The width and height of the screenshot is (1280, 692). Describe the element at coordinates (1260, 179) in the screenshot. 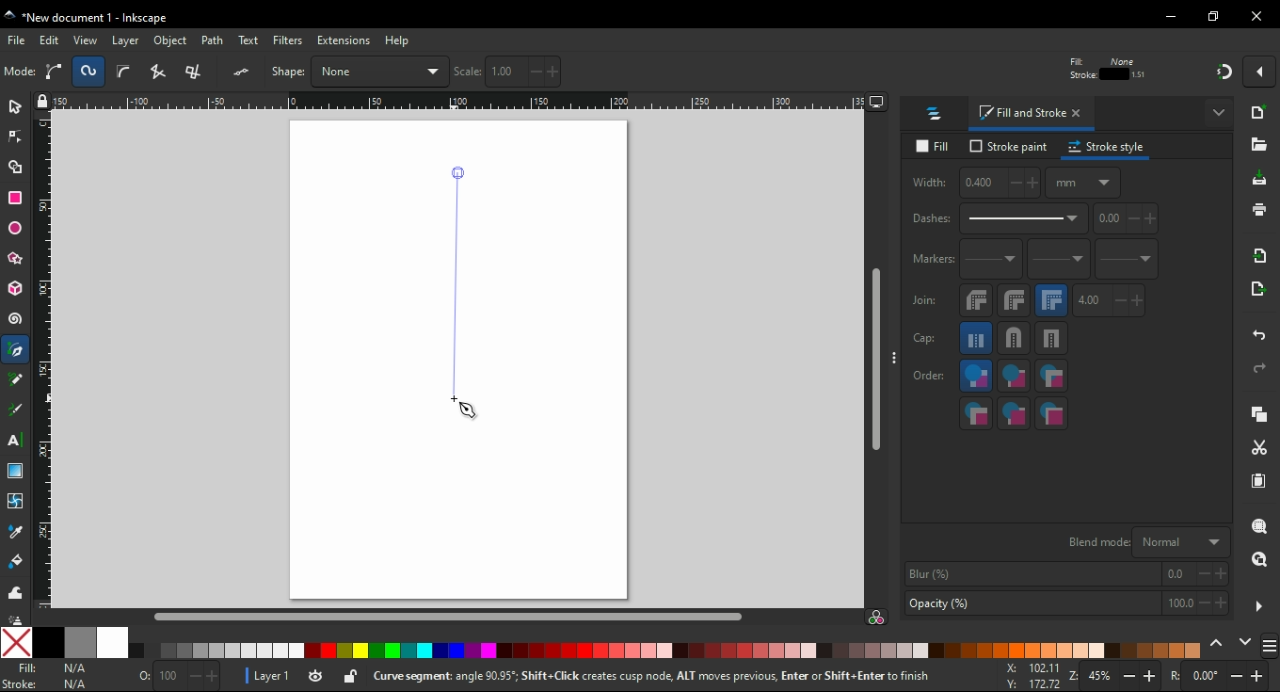

I see `save` at that location.